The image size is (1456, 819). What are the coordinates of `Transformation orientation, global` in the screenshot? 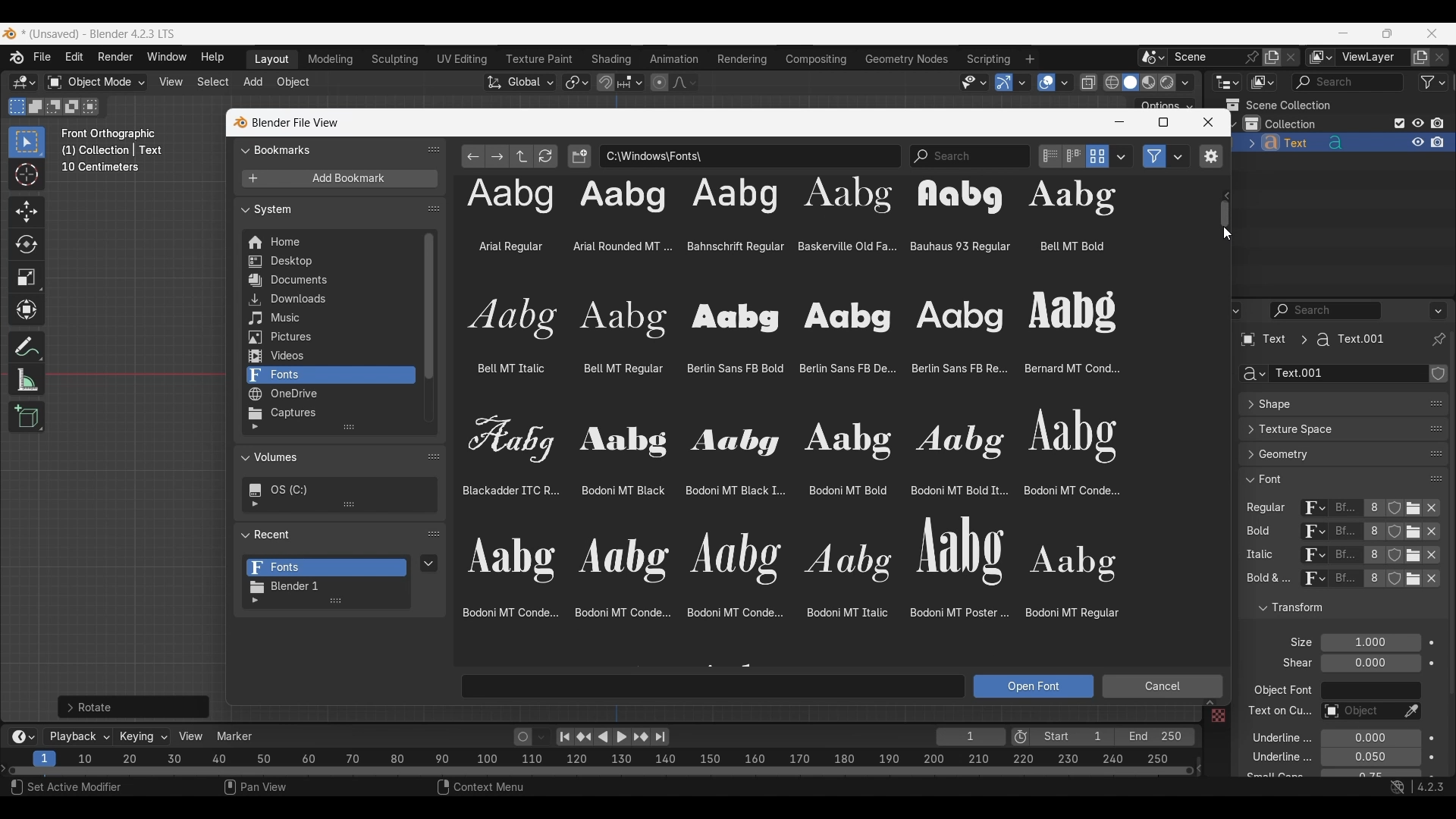 It's located at (520, 83).